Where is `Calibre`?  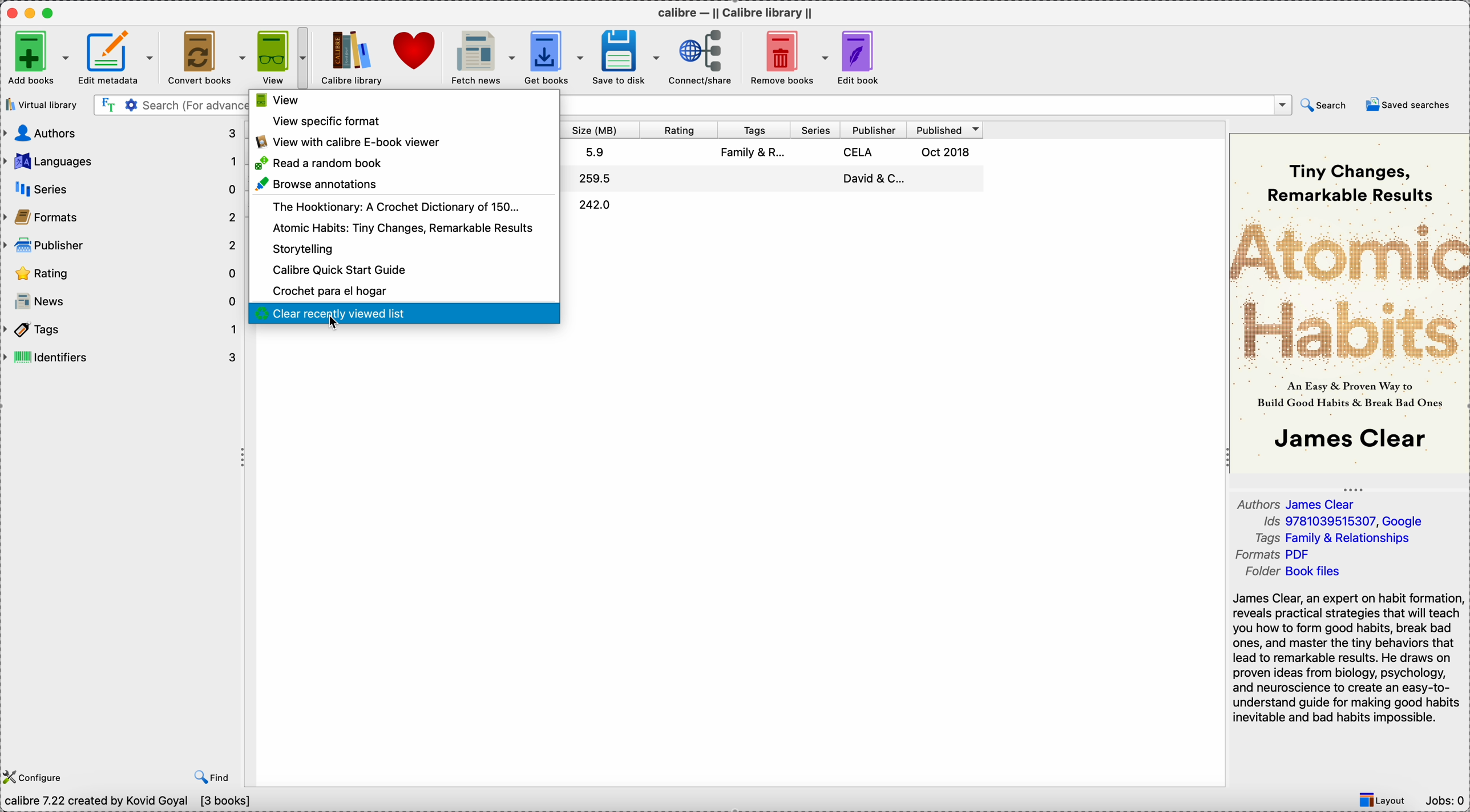
Calibre is located at coordinates (353, 58).